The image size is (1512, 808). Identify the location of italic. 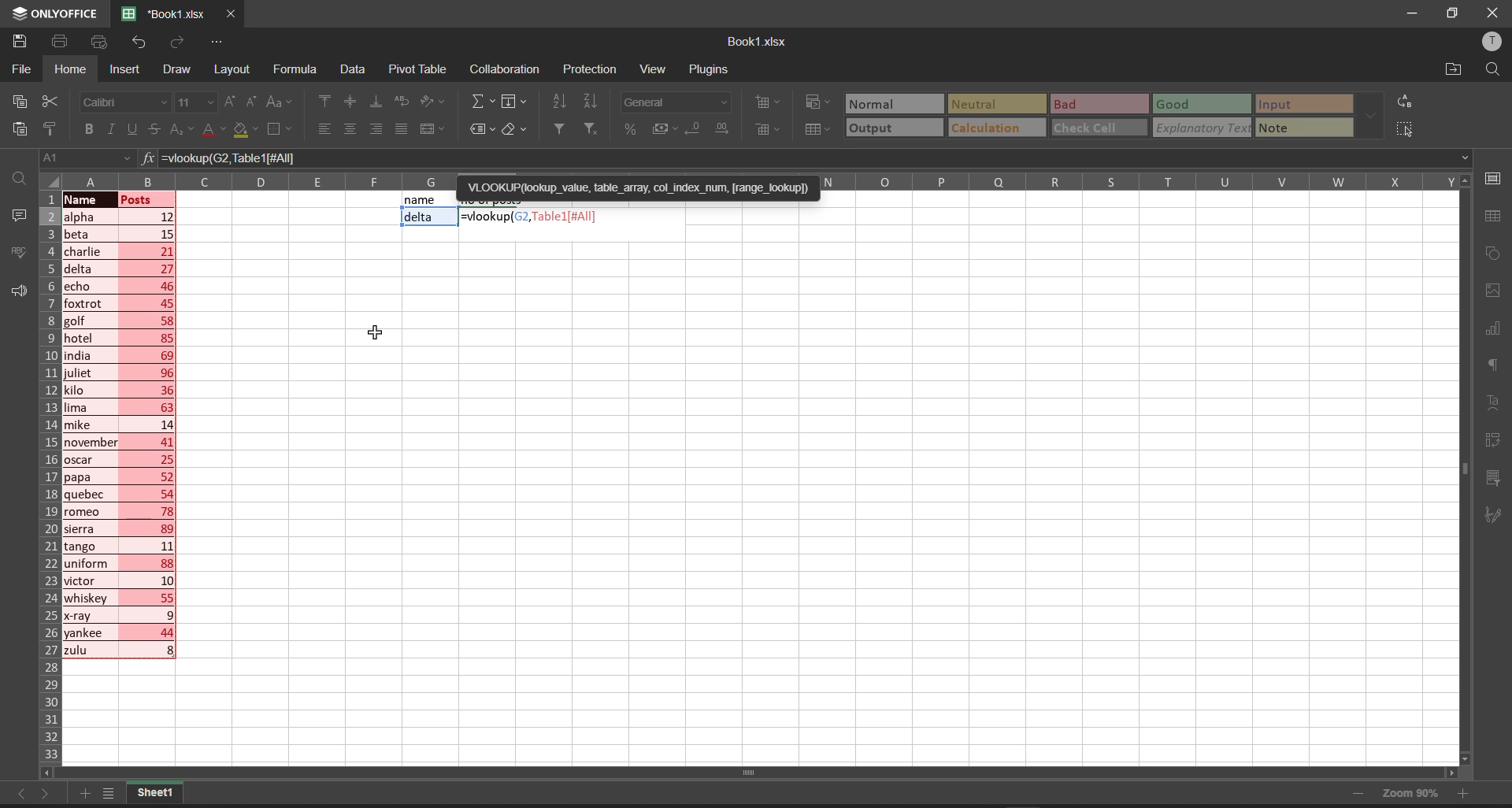
(109, 129).